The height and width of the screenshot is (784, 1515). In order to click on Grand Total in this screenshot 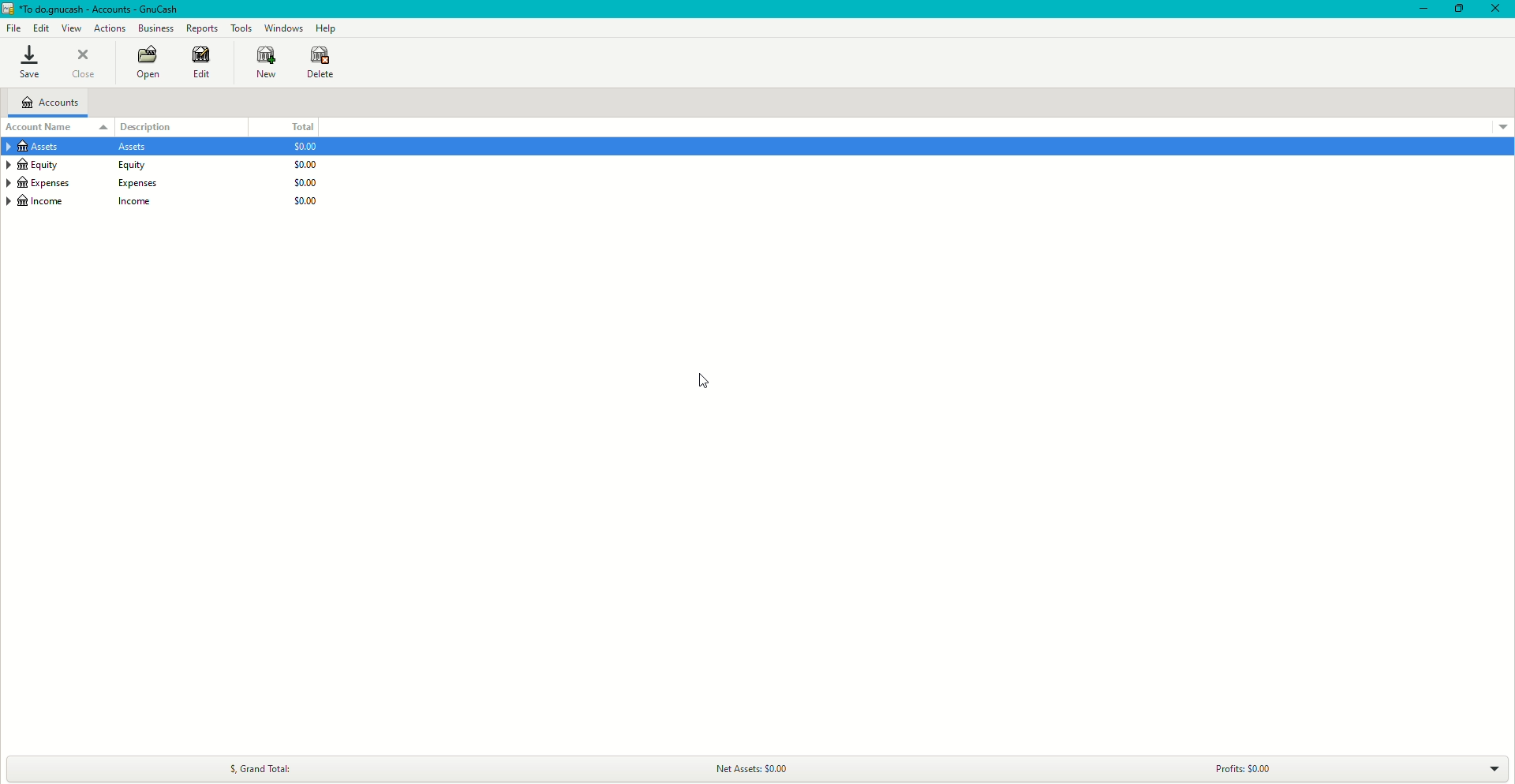, I will do `click(258, 766)`.